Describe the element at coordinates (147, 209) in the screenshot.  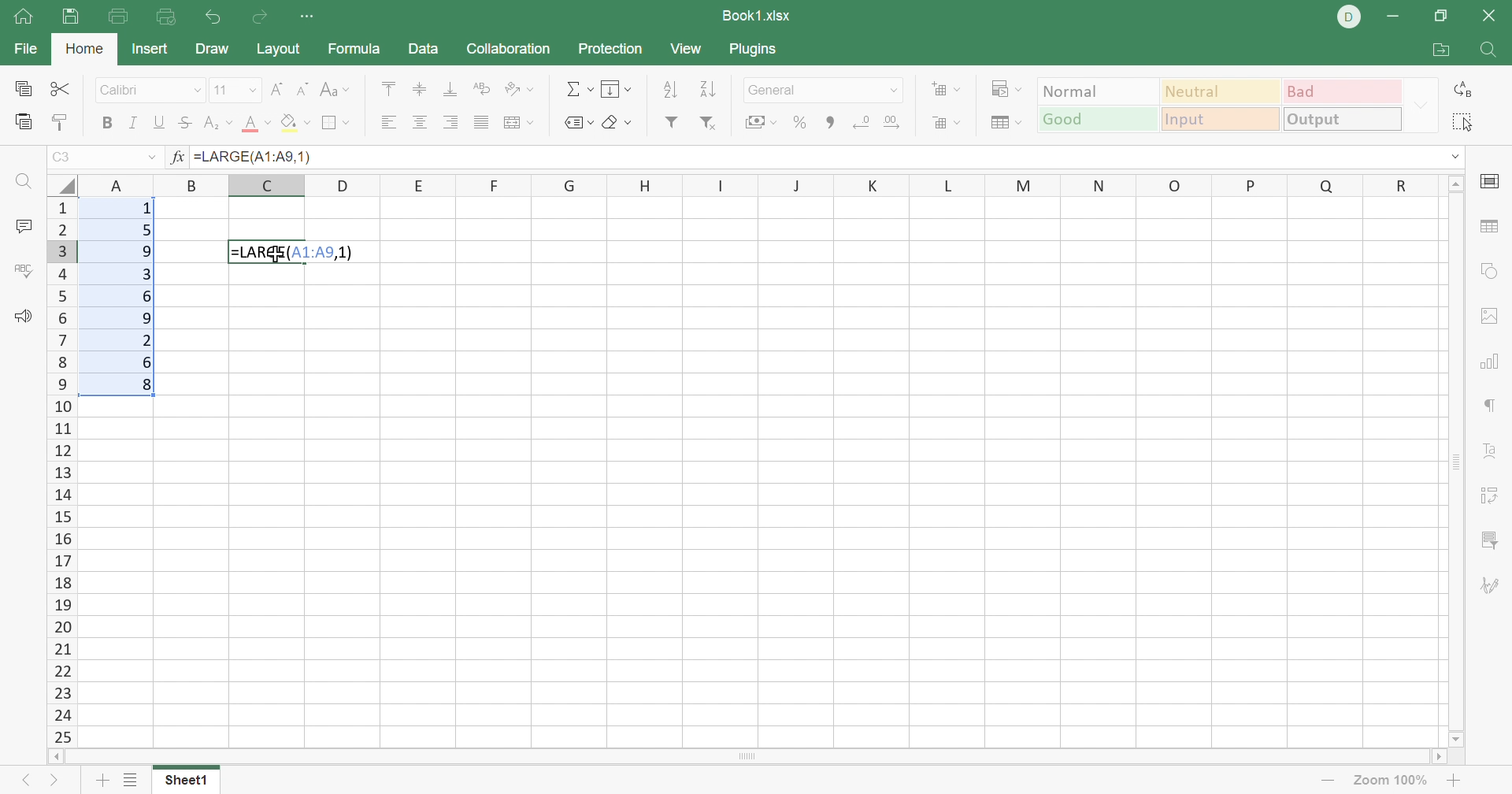
I see `1` at that location.